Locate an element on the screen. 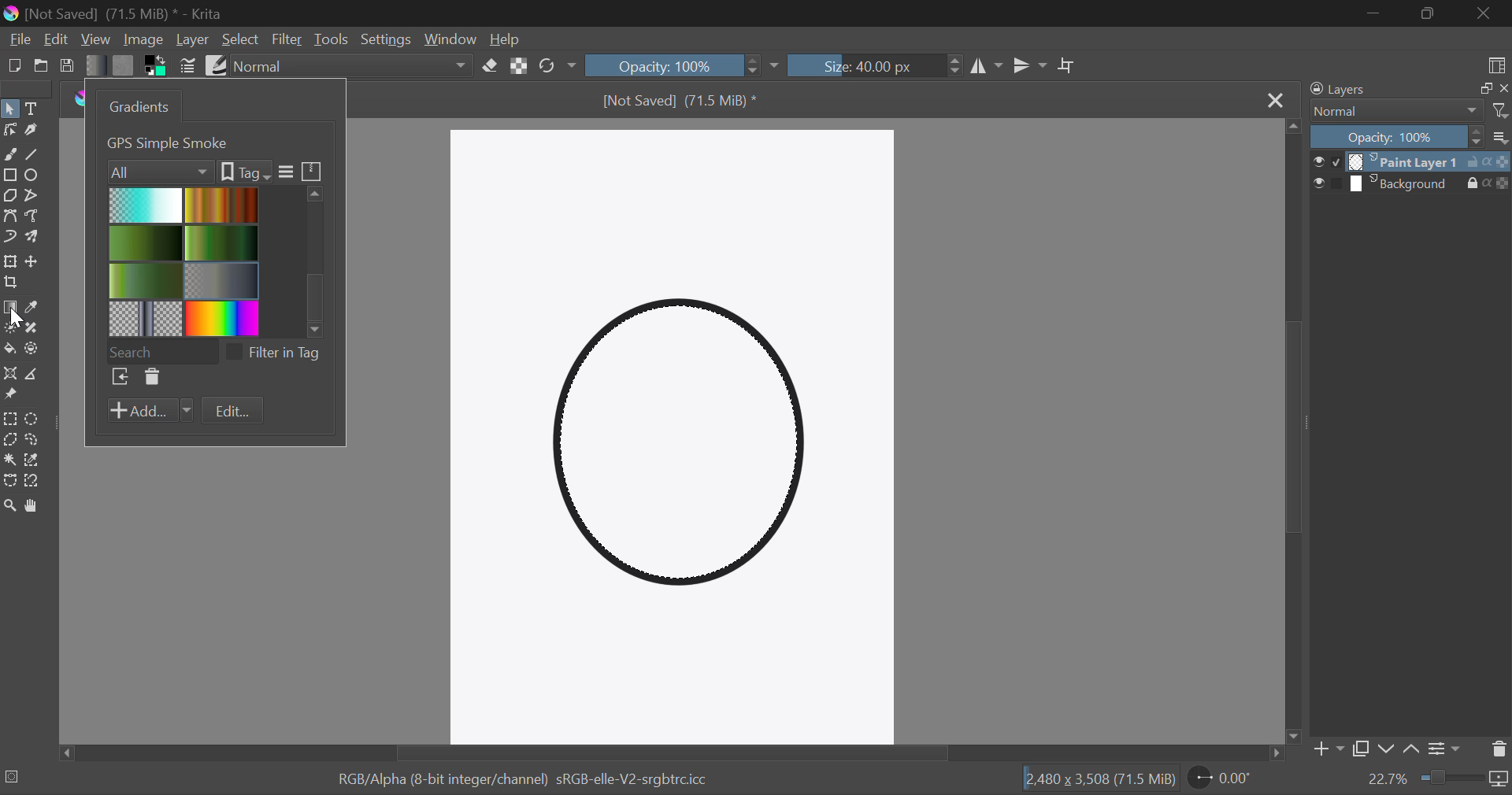  [Not Saved] (71.5 MiB) * is located at coordinates (680, 102).